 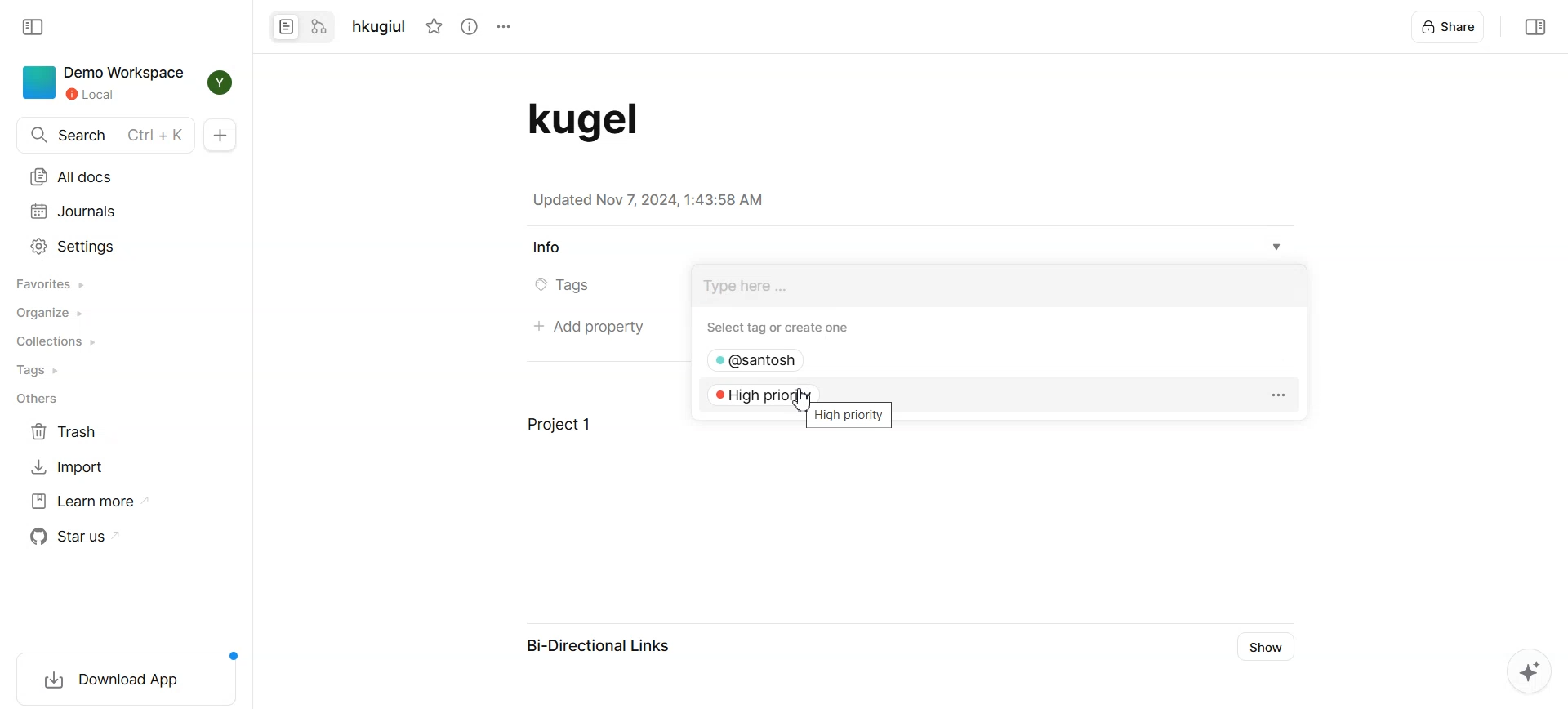 What do you see at coordinates (1527, 671) in the screenshot?
I see `Affine AI` at bounding box center [1527, 671].